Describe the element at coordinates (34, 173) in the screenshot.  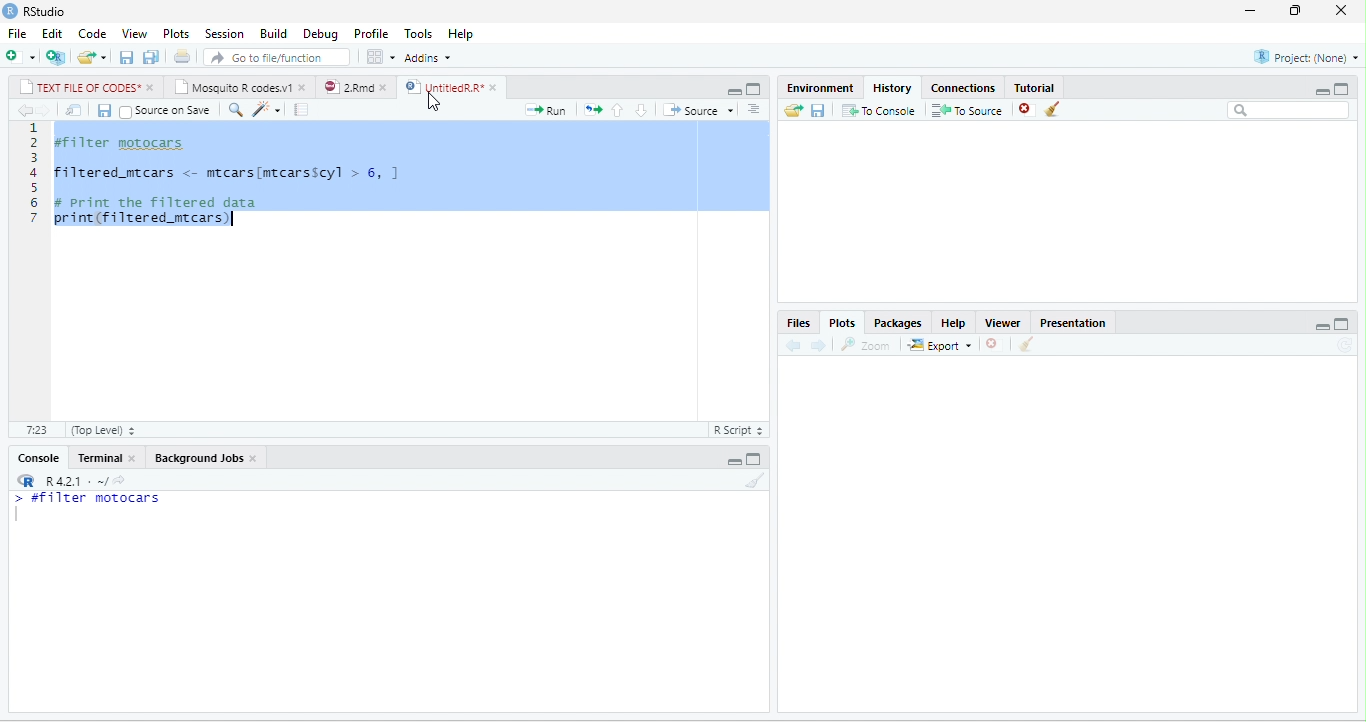
I see `line numbering` at that location.